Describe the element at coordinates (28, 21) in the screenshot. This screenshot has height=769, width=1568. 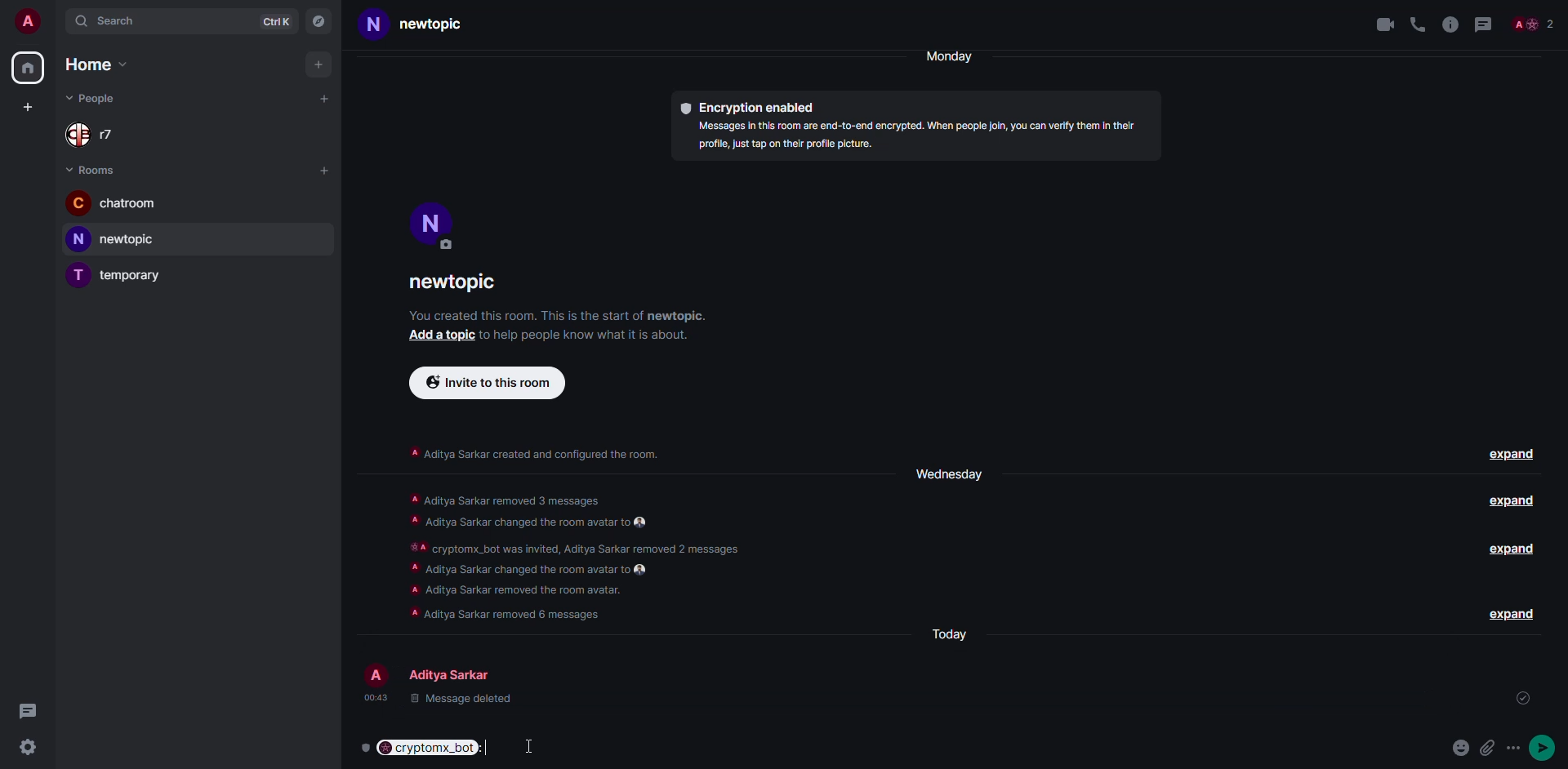
I see `profile` at that location.